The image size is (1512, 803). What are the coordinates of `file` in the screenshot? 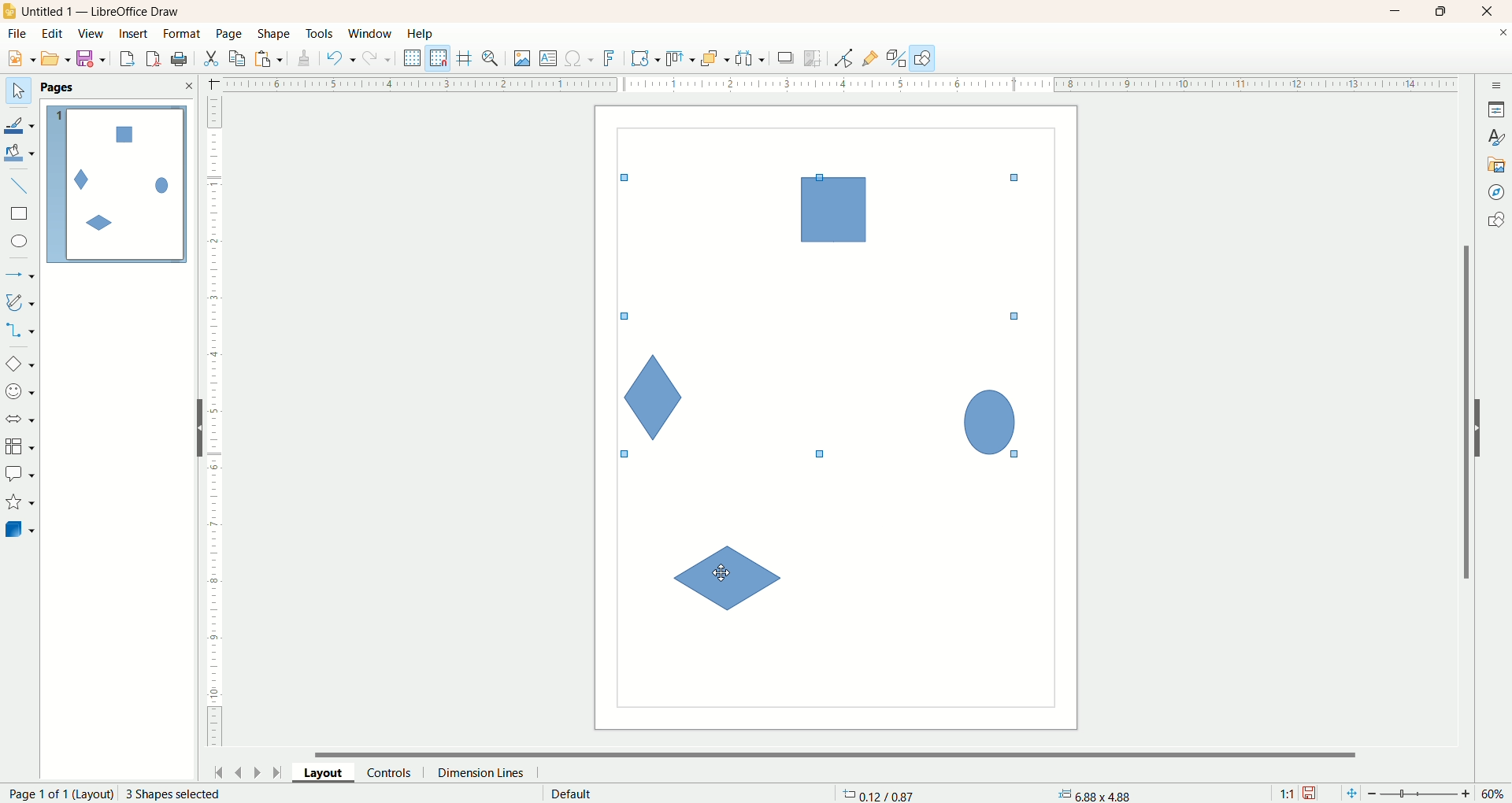 It's located at (20, 34).